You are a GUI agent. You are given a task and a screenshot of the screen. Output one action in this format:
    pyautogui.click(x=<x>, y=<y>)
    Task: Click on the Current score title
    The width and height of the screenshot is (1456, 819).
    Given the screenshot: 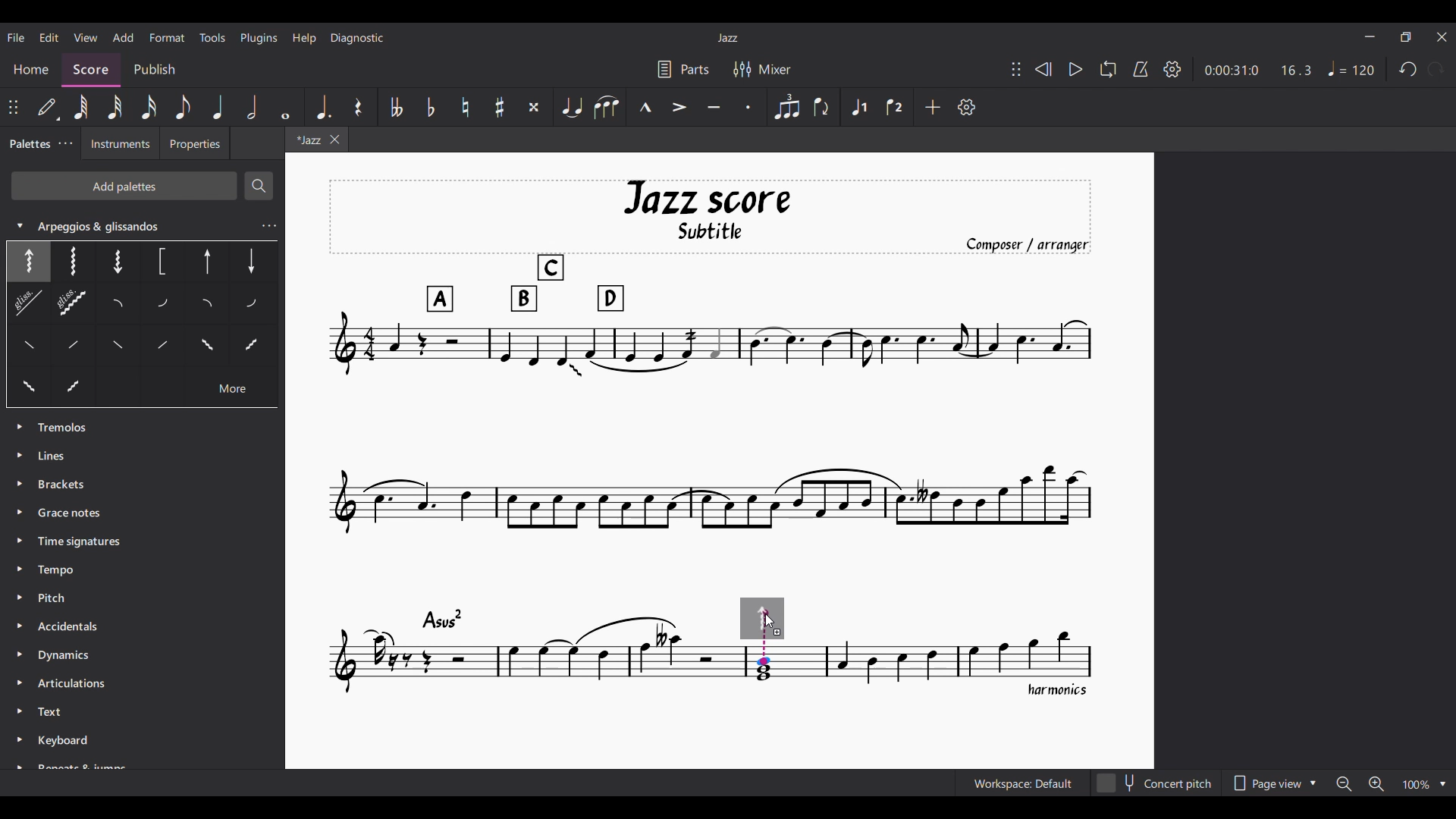 What is the action you would take?
    pyautogui.click(x=728, y=38)
    